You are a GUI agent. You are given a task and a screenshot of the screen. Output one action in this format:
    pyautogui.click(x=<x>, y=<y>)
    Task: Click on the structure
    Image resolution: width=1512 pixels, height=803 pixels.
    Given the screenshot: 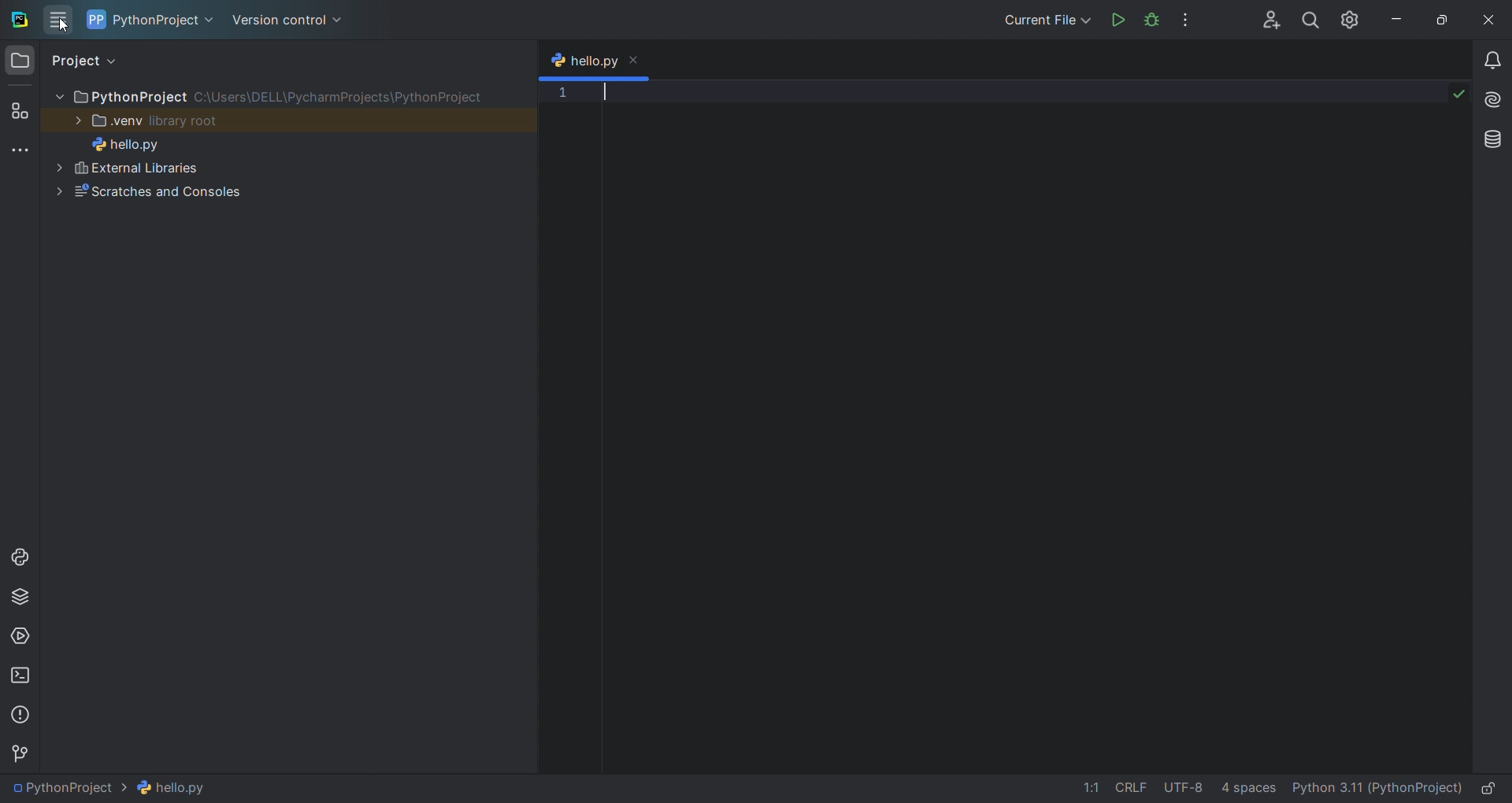 What is the action you would take?
    pyautogui.click(x=22, y=111)
    